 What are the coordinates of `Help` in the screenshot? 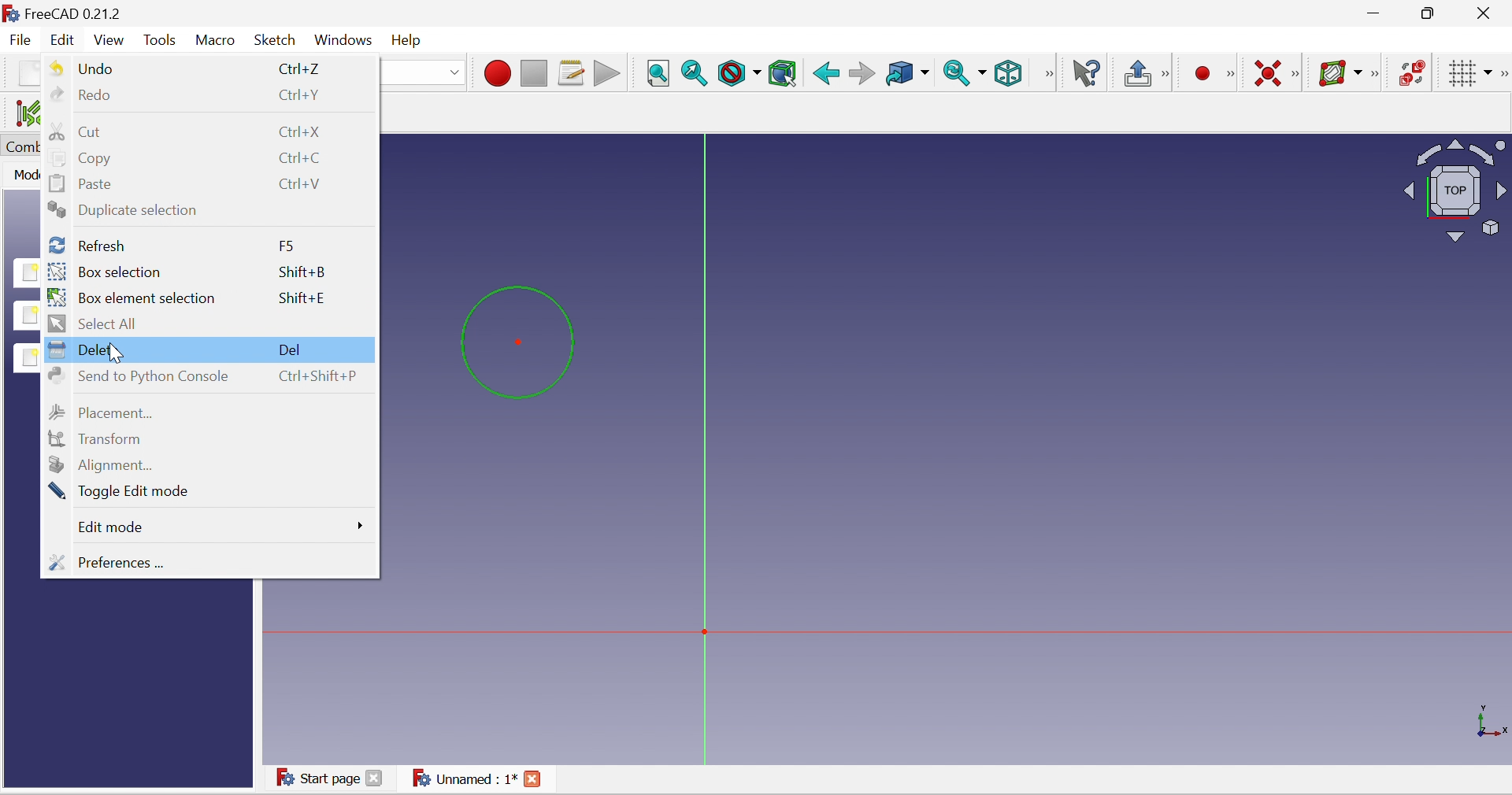 It's located at (406, 42).